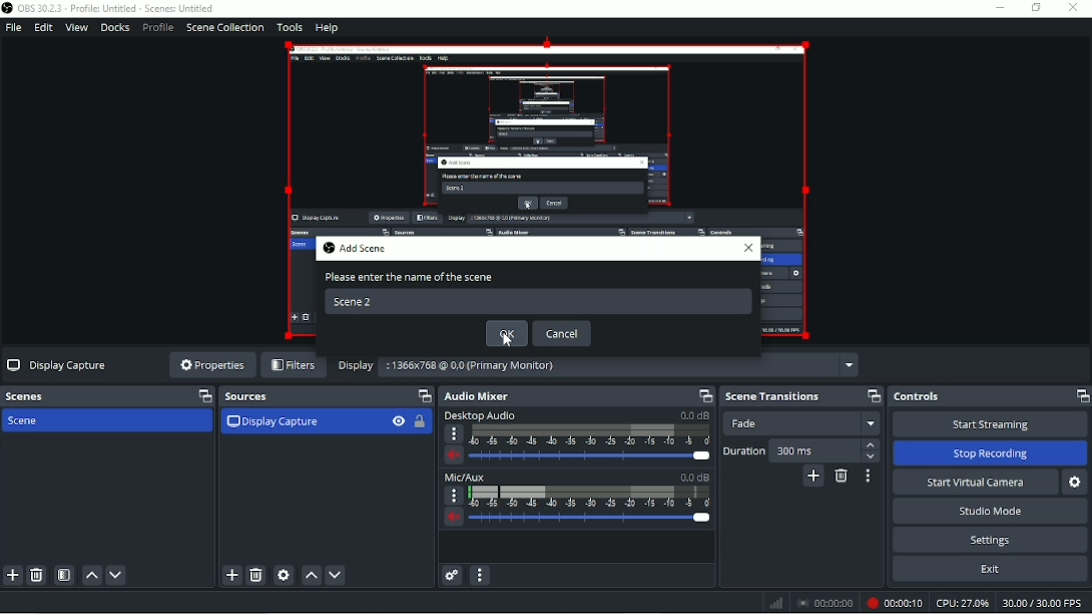 The width and height of the screenshot is (1092, 614). I want to click on Stop Recording, so click(989, 453).